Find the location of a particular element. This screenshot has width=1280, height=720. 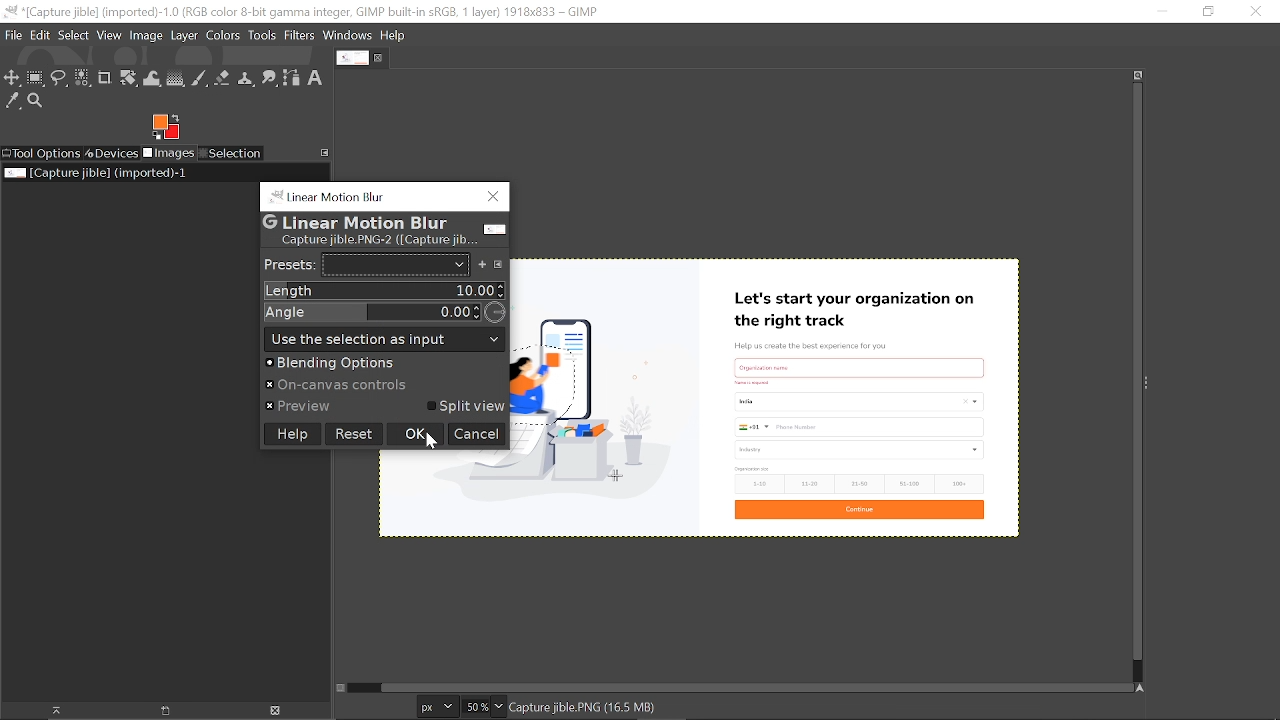

Add preset is located at coordinates (483, 264).